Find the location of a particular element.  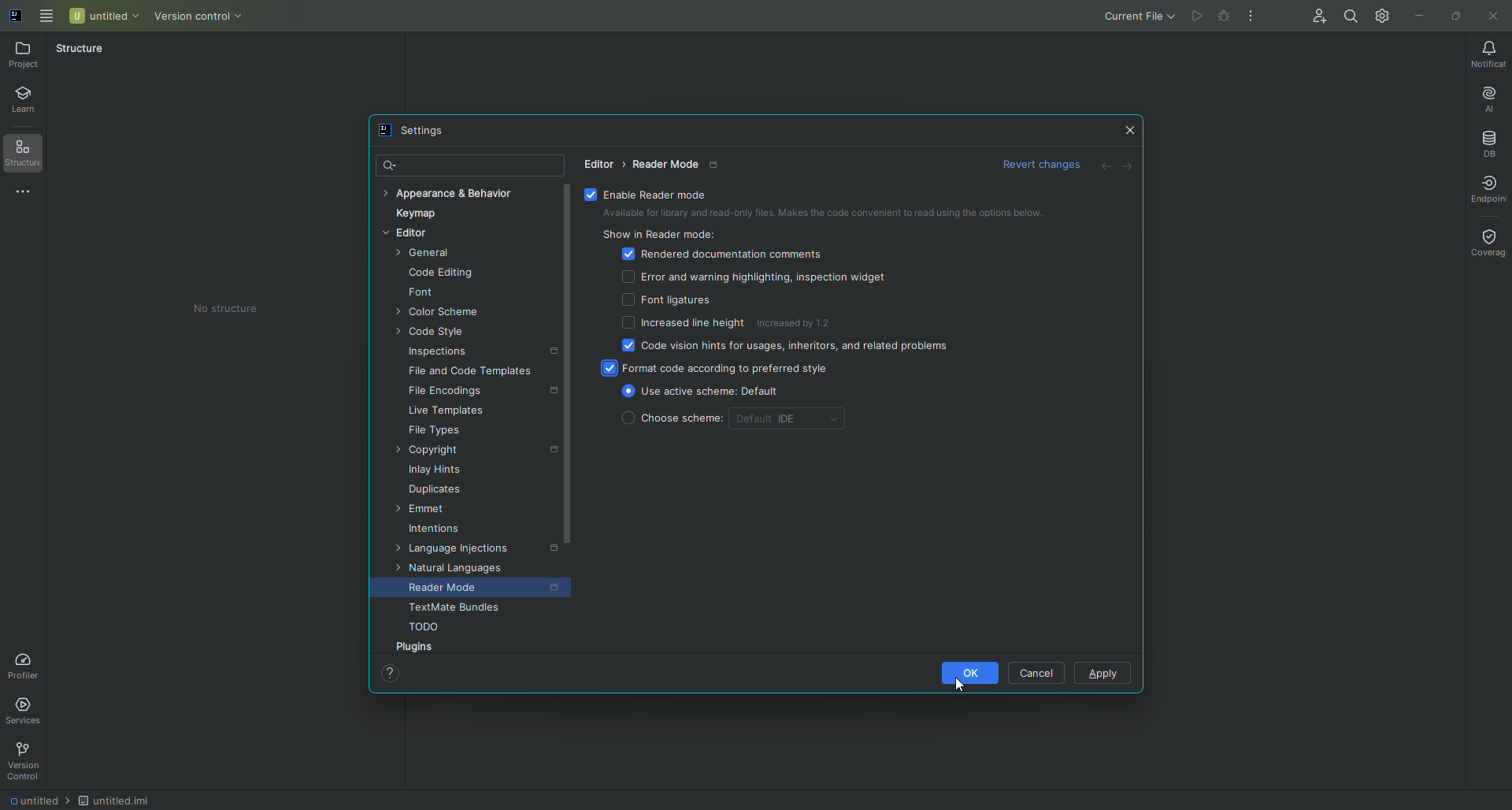

Available for library and read-only is located at coordinates (826, 214).